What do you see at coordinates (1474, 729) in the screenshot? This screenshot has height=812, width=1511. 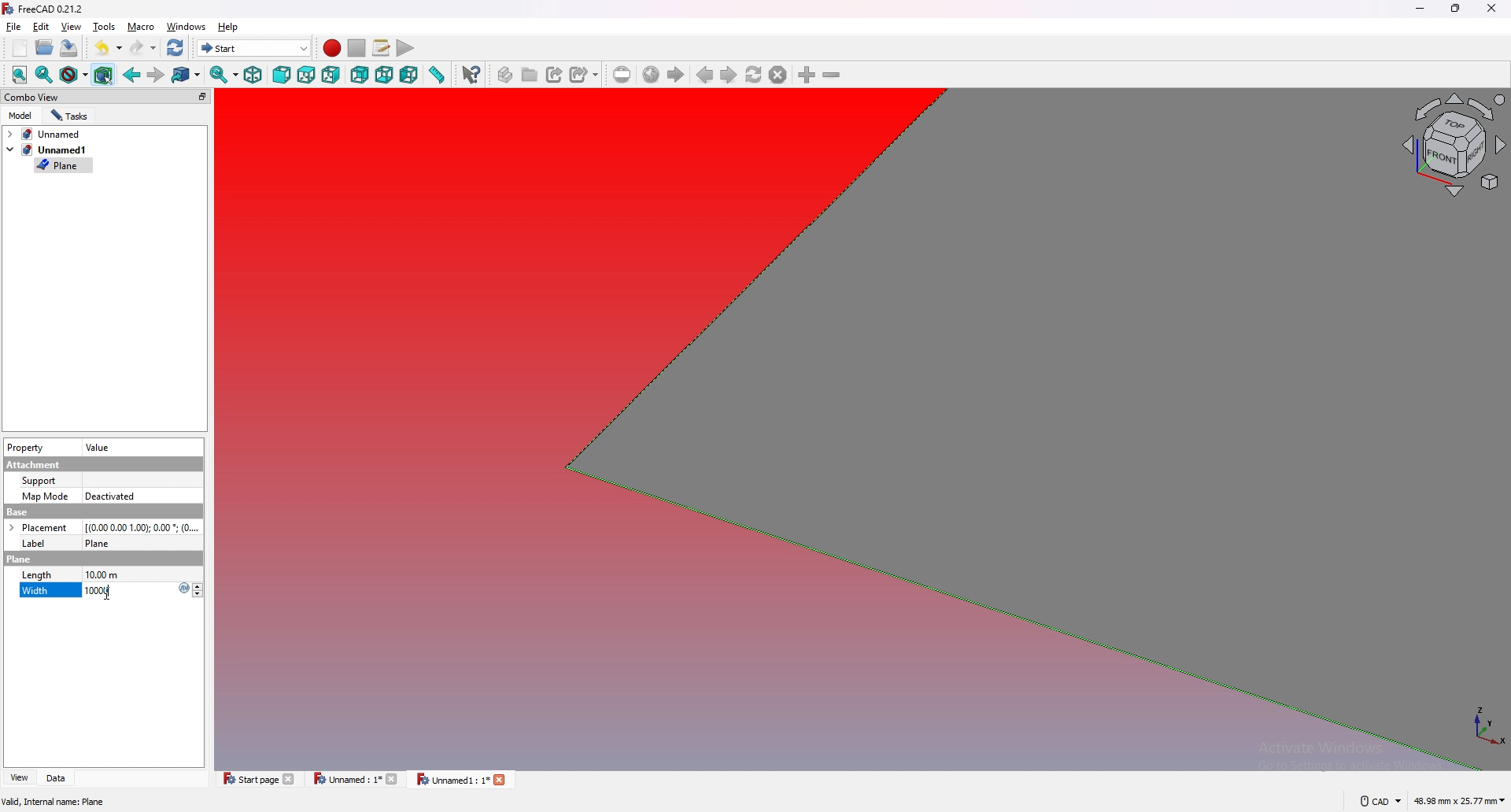 I see `xyz coordinates` at bounding box center [1474, 729].